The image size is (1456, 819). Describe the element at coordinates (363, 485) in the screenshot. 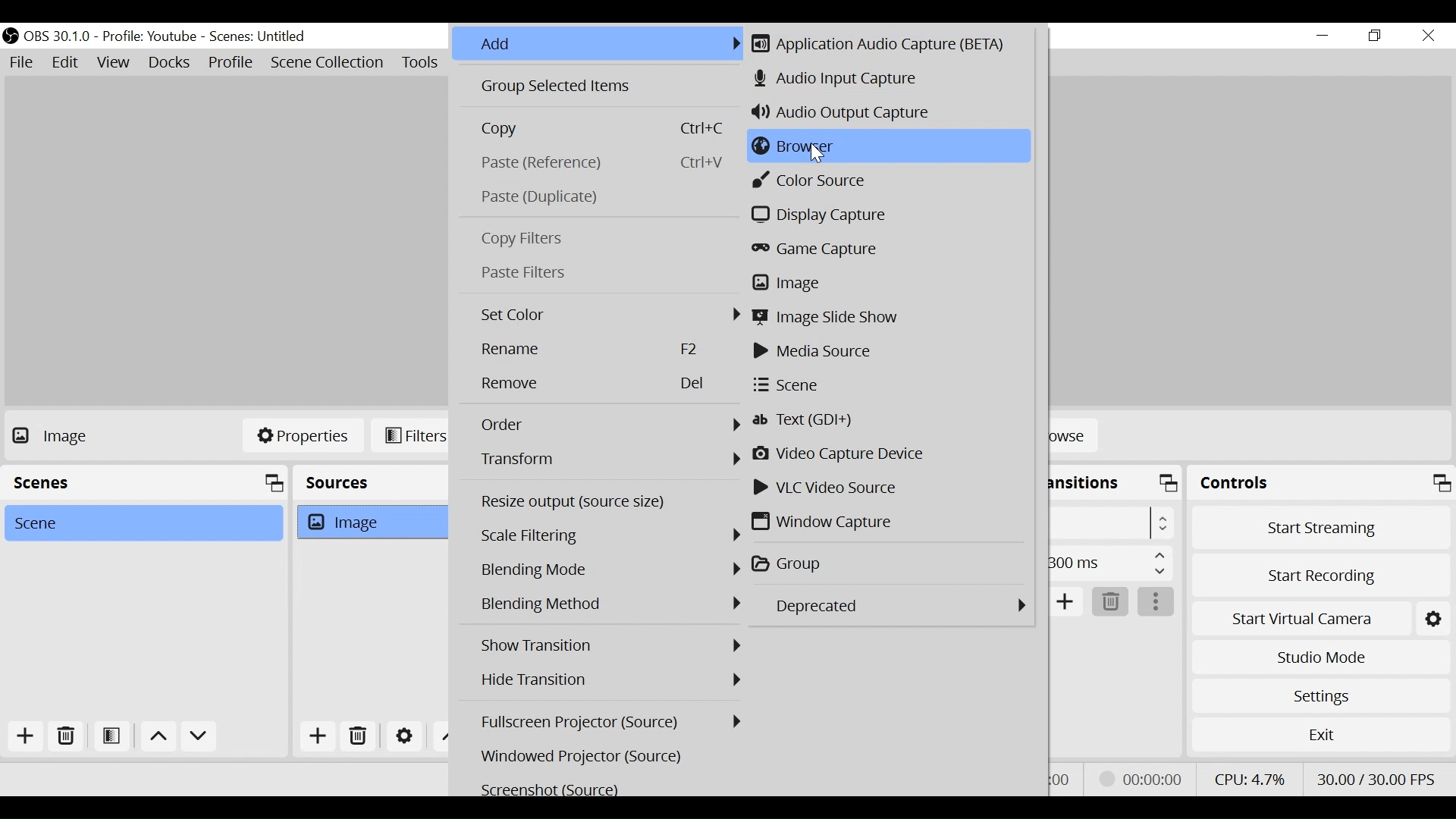

I see `Sources` at that location.